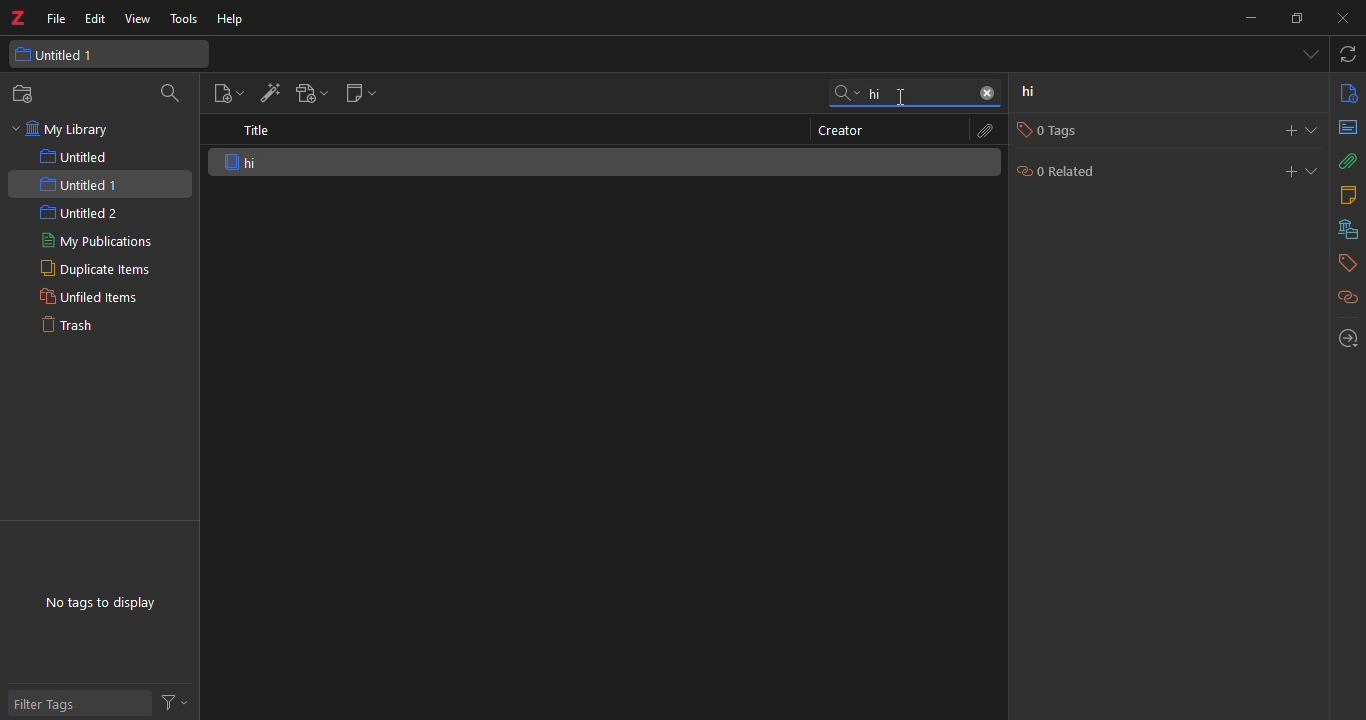 The height and width of the screenshot is (720, 1366). What do you see at coordinates (273, 161) in the screenshot?
I see `hi` at bounding box center [273, 161].